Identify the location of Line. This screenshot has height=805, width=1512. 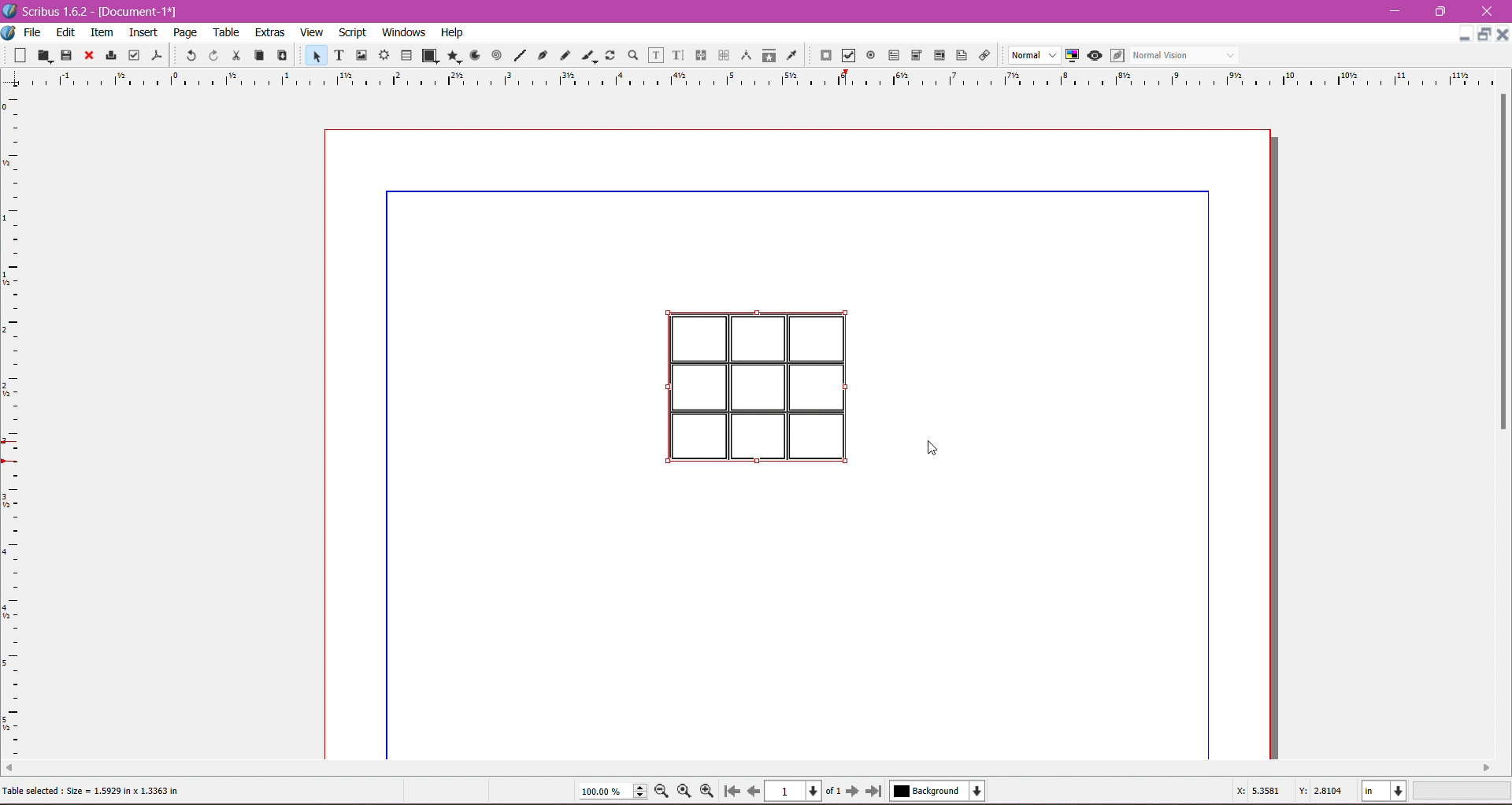
(517, 56).